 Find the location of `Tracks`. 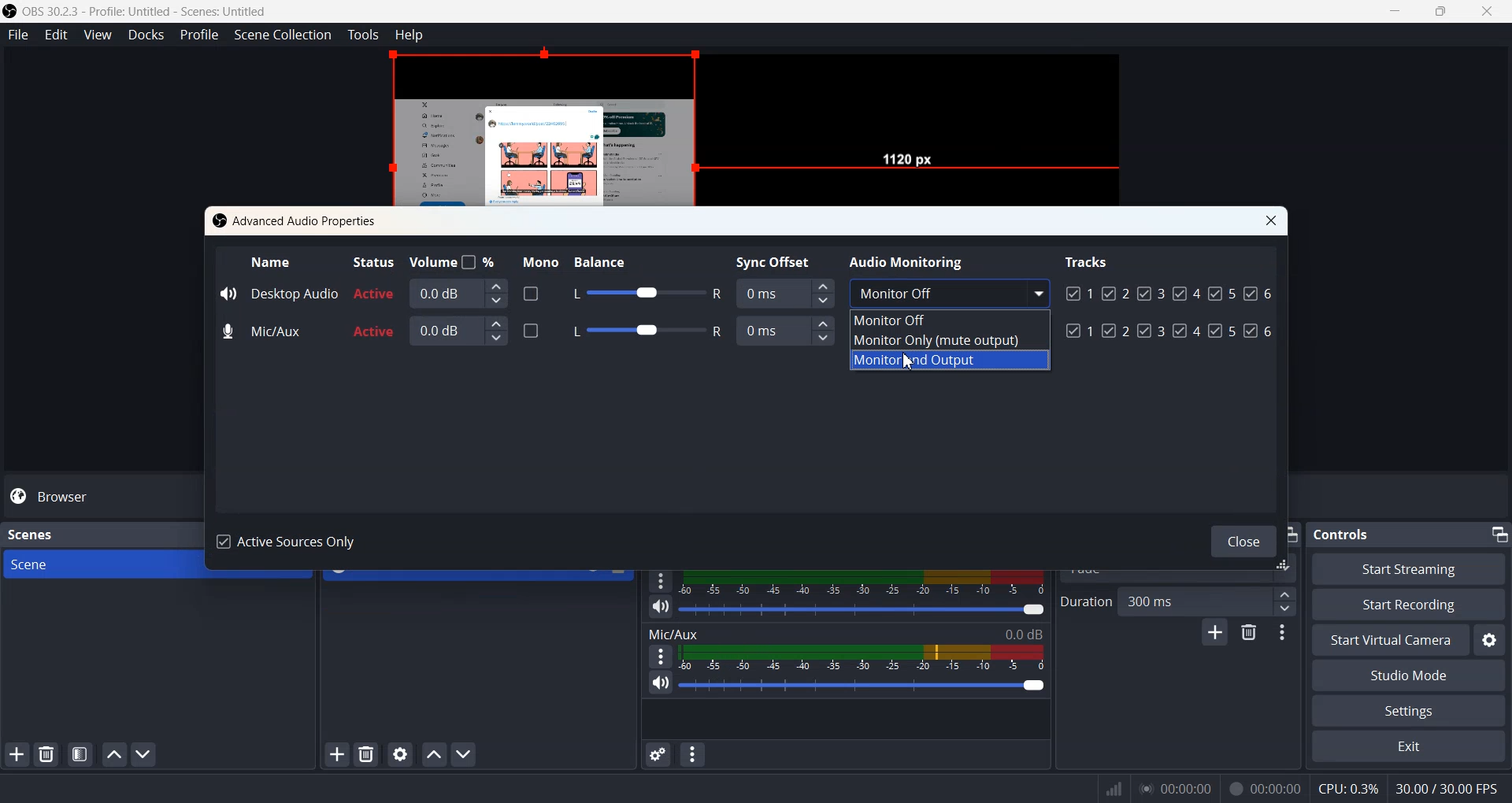

Tracks is located at coordinates (1088, 261).